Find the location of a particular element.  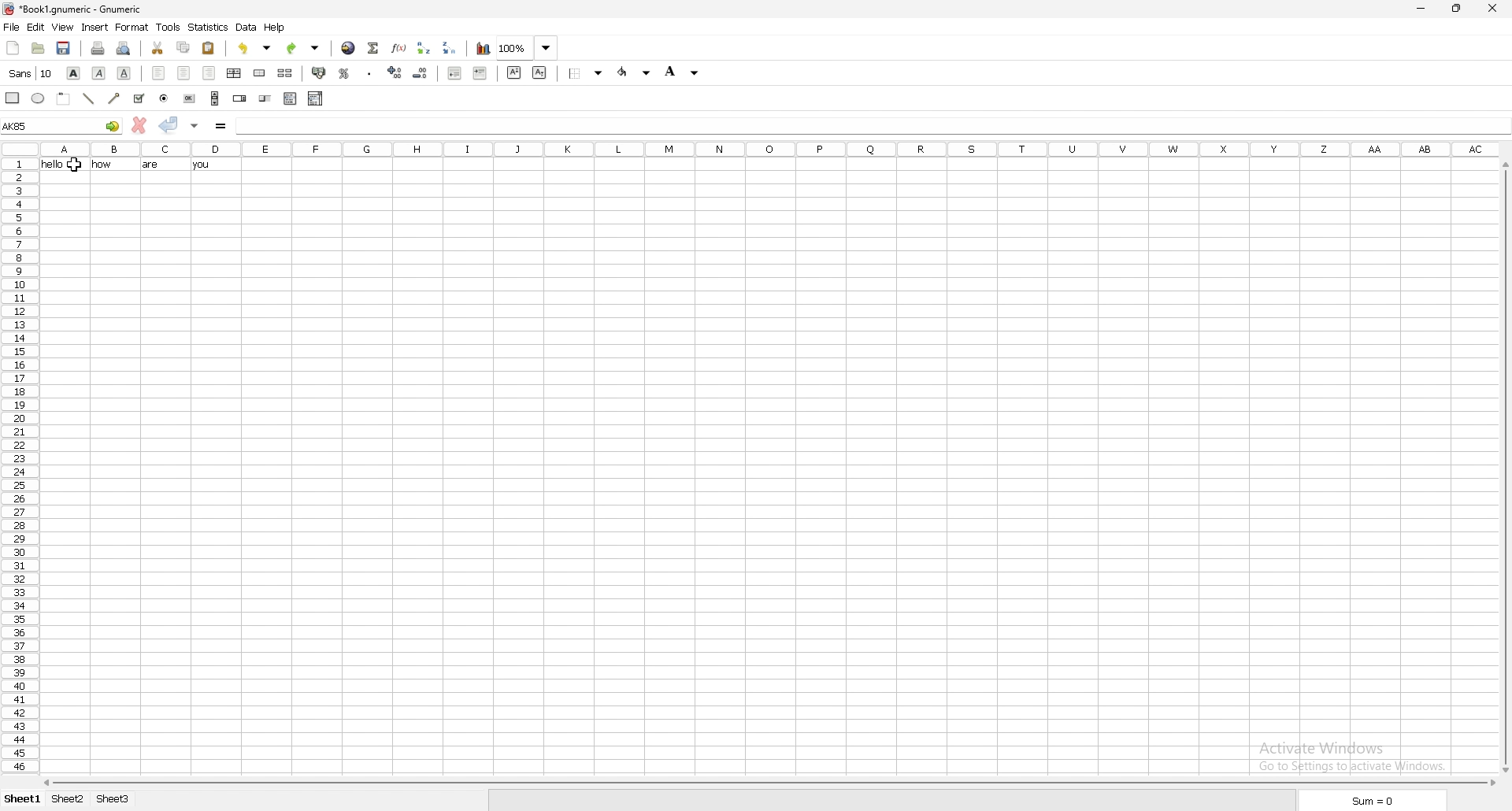

undo is located at coordinates (257, 48).